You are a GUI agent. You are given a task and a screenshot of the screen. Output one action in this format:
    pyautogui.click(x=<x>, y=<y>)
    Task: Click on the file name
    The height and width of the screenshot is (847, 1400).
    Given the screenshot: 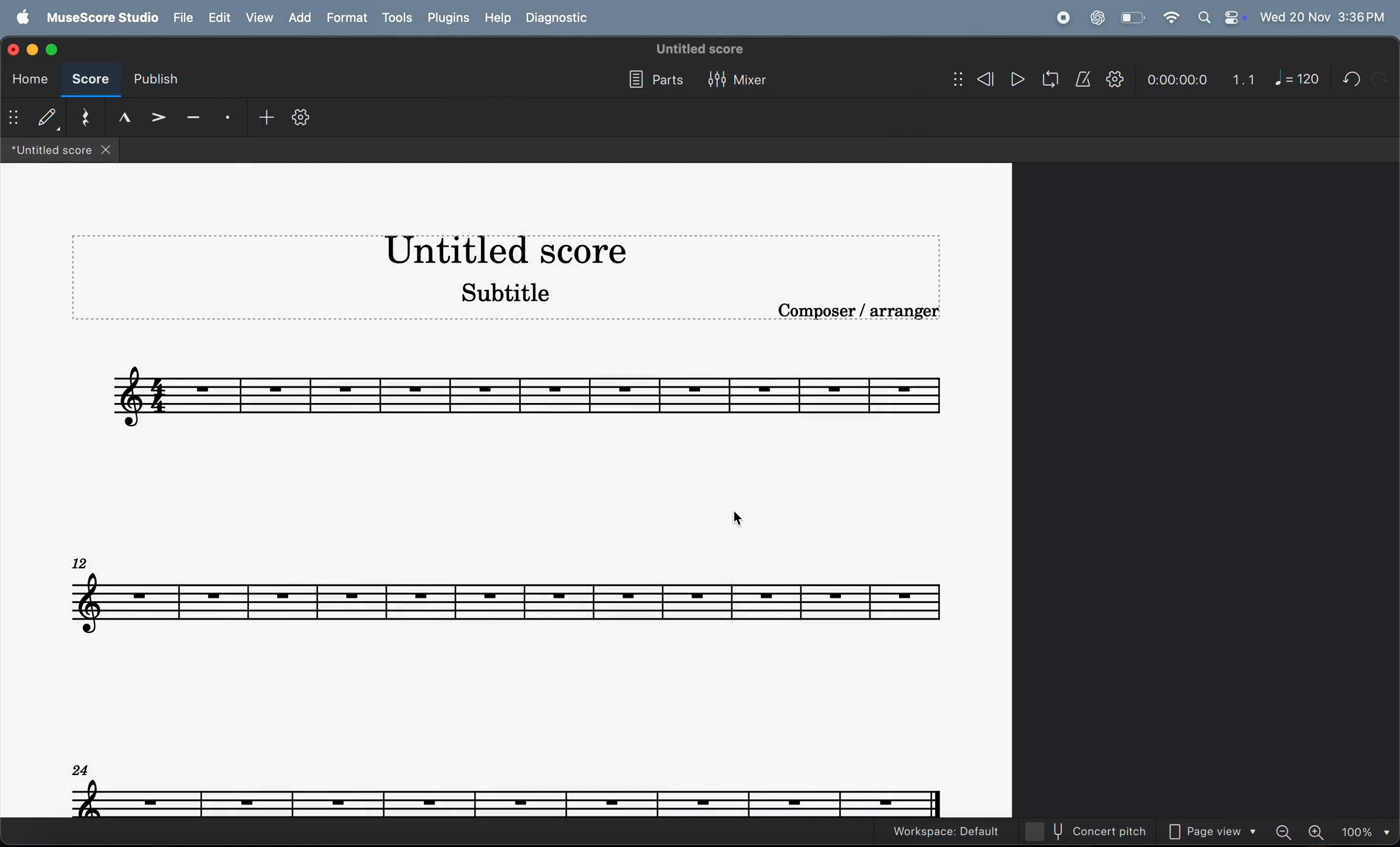 What is the action you would take?
    pyautogui.click(x=60, y=151)
    